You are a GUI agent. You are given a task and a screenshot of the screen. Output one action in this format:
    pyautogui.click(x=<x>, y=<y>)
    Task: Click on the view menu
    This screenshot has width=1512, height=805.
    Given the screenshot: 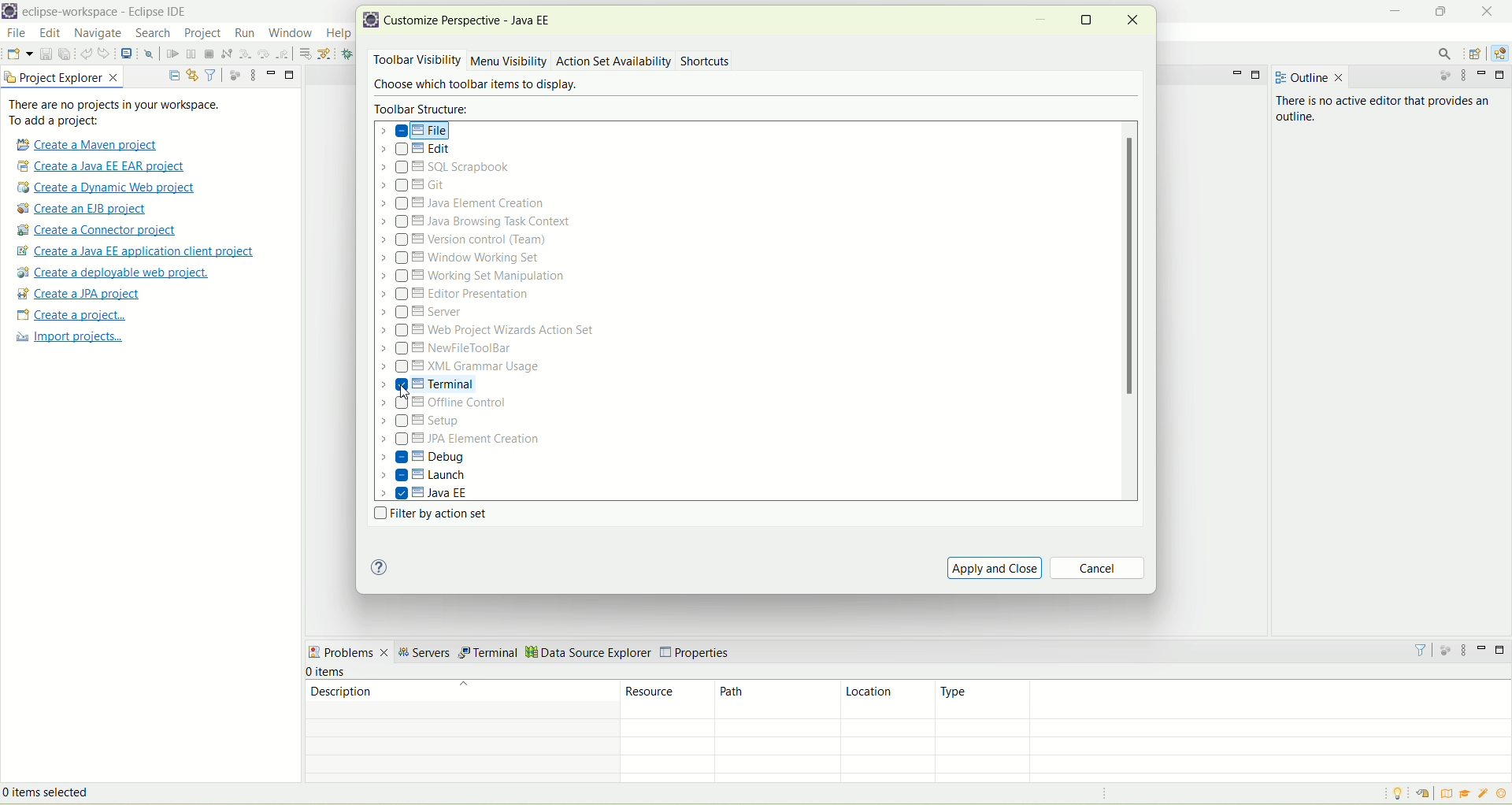 What is the action you would take?
    pyautogui.click(x=1467, y=651)
    